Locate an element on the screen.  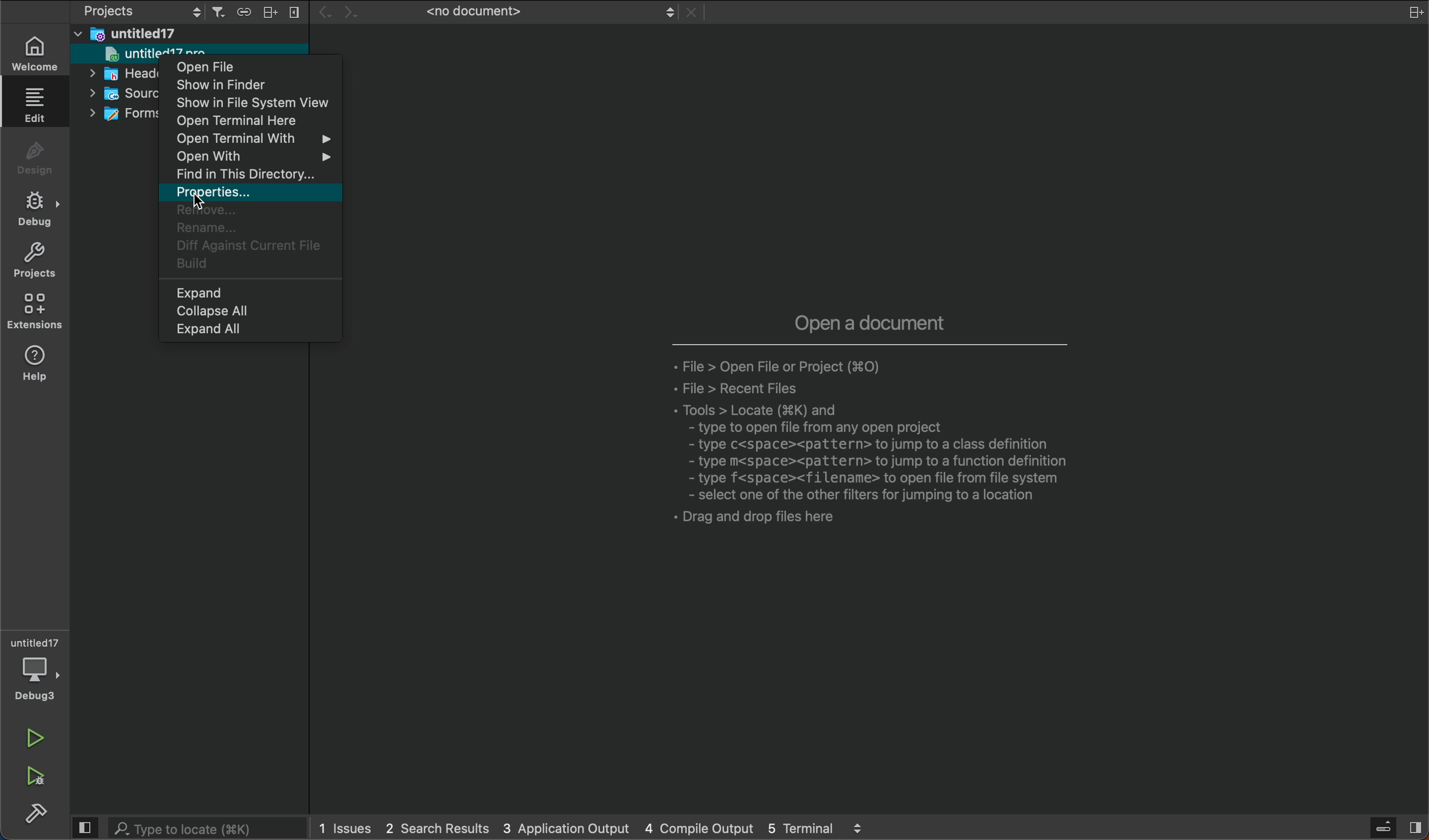
open terminal is located at coordinates (256, 122).